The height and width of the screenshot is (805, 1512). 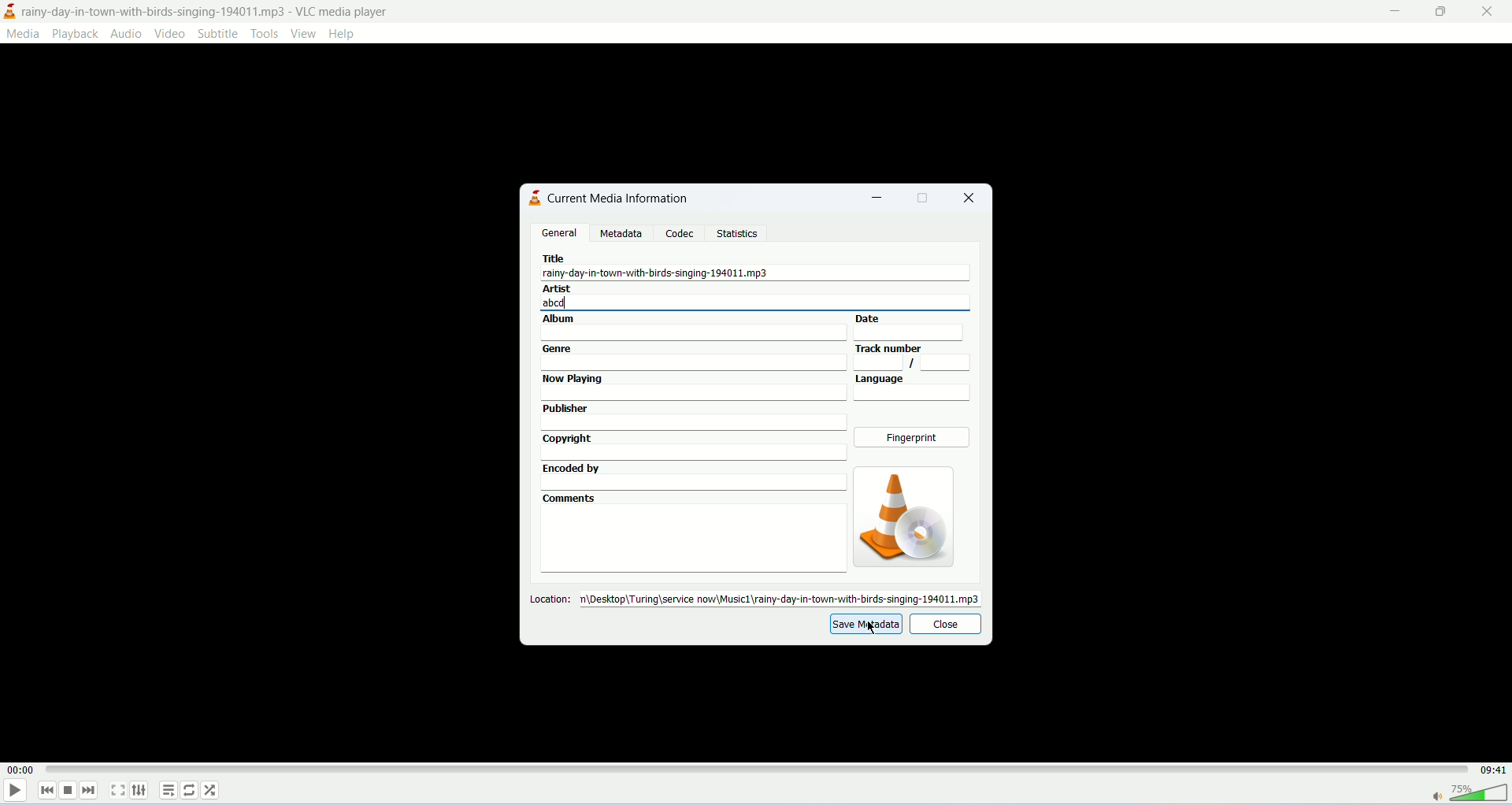 What do you see at coordinates (692, 475) in the screenshot?
I see `encoded by` at bounding box center [692, 475].